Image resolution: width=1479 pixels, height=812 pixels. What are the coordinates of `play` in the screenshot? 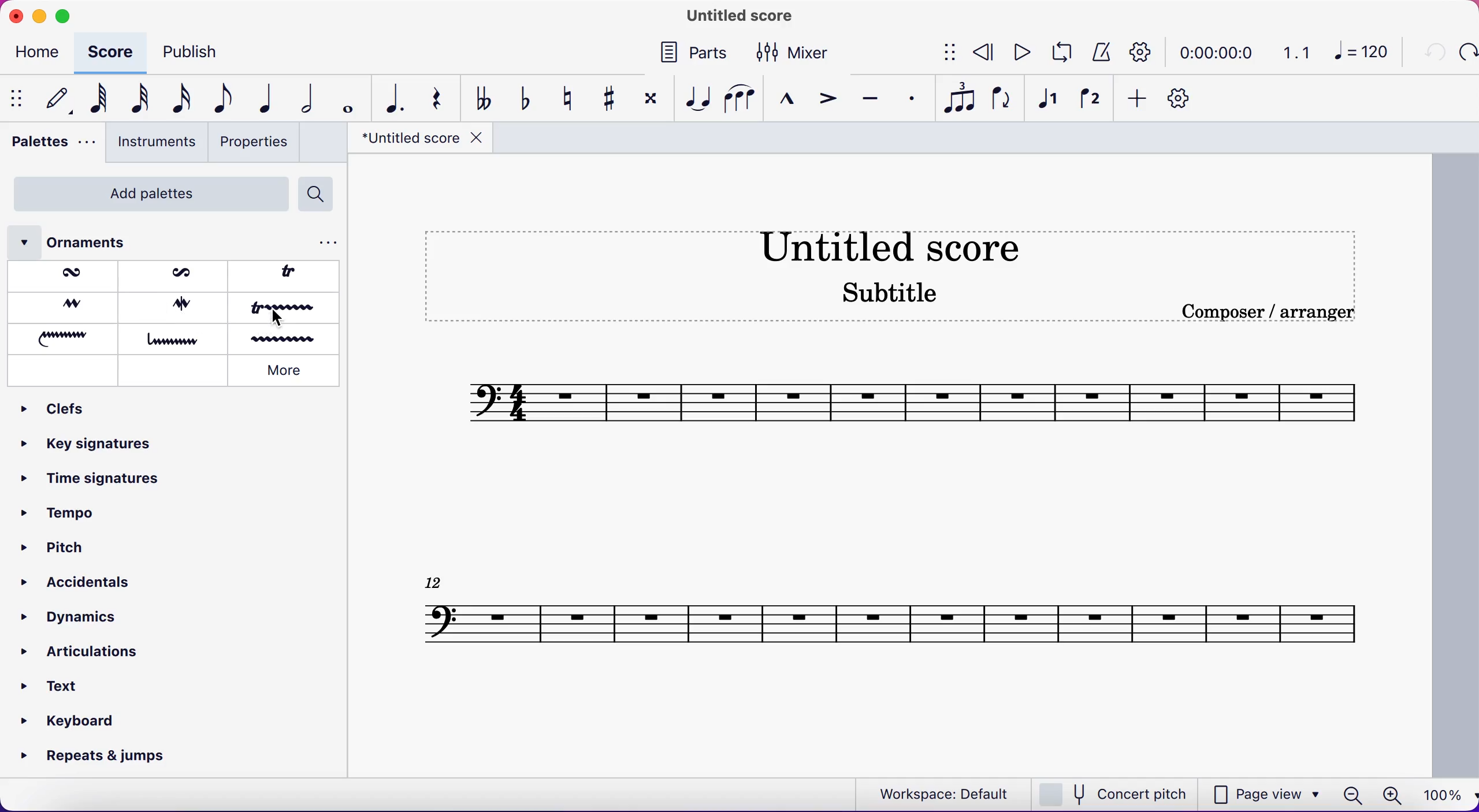 It's located at (1021, 54).